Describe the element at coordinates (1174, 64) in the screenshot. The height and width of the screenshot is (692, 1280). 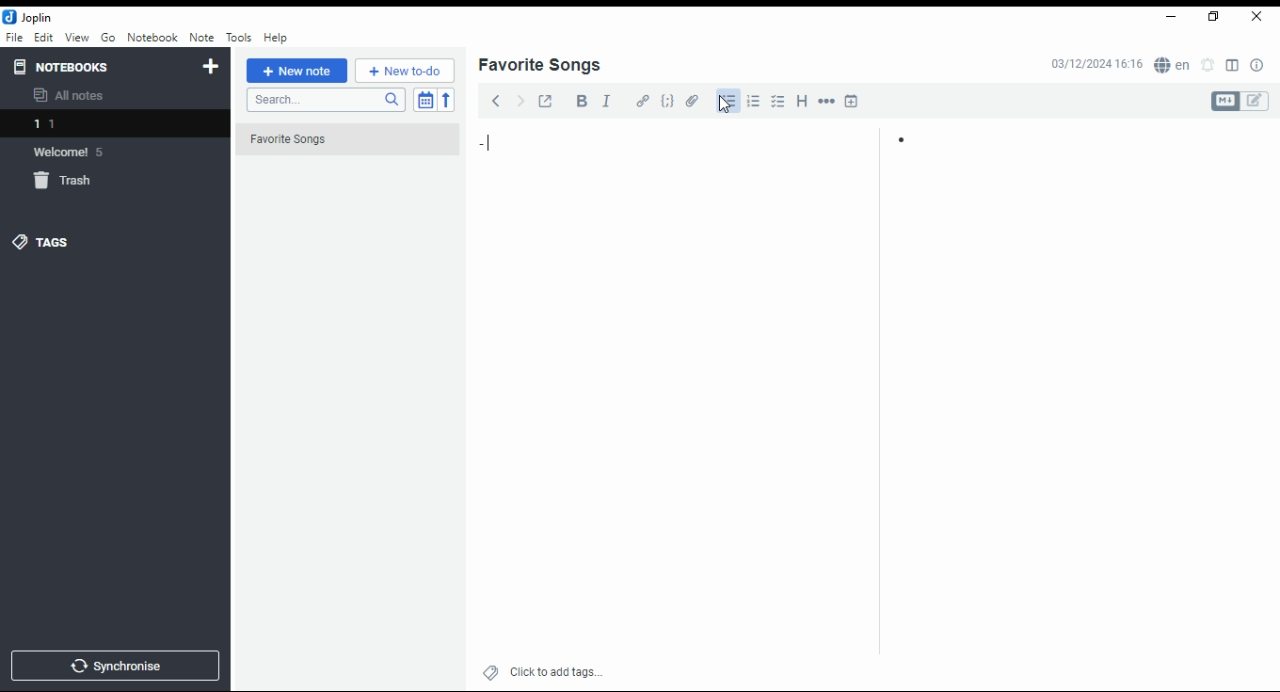
I see `spell checker` at that location.